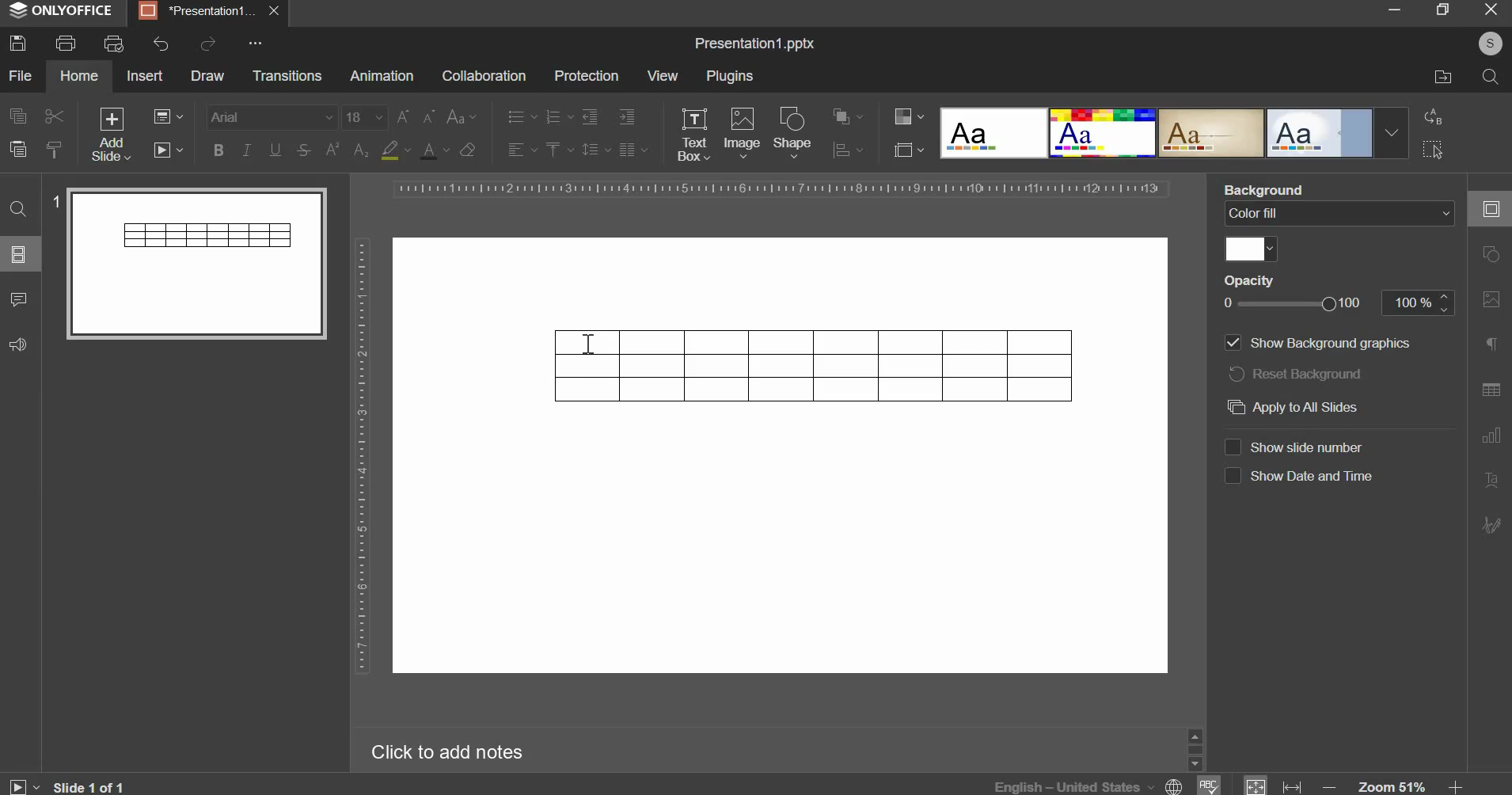  Describe the element at coordinates (188, 262) in the screenshot. I see `slide preview` at that location.